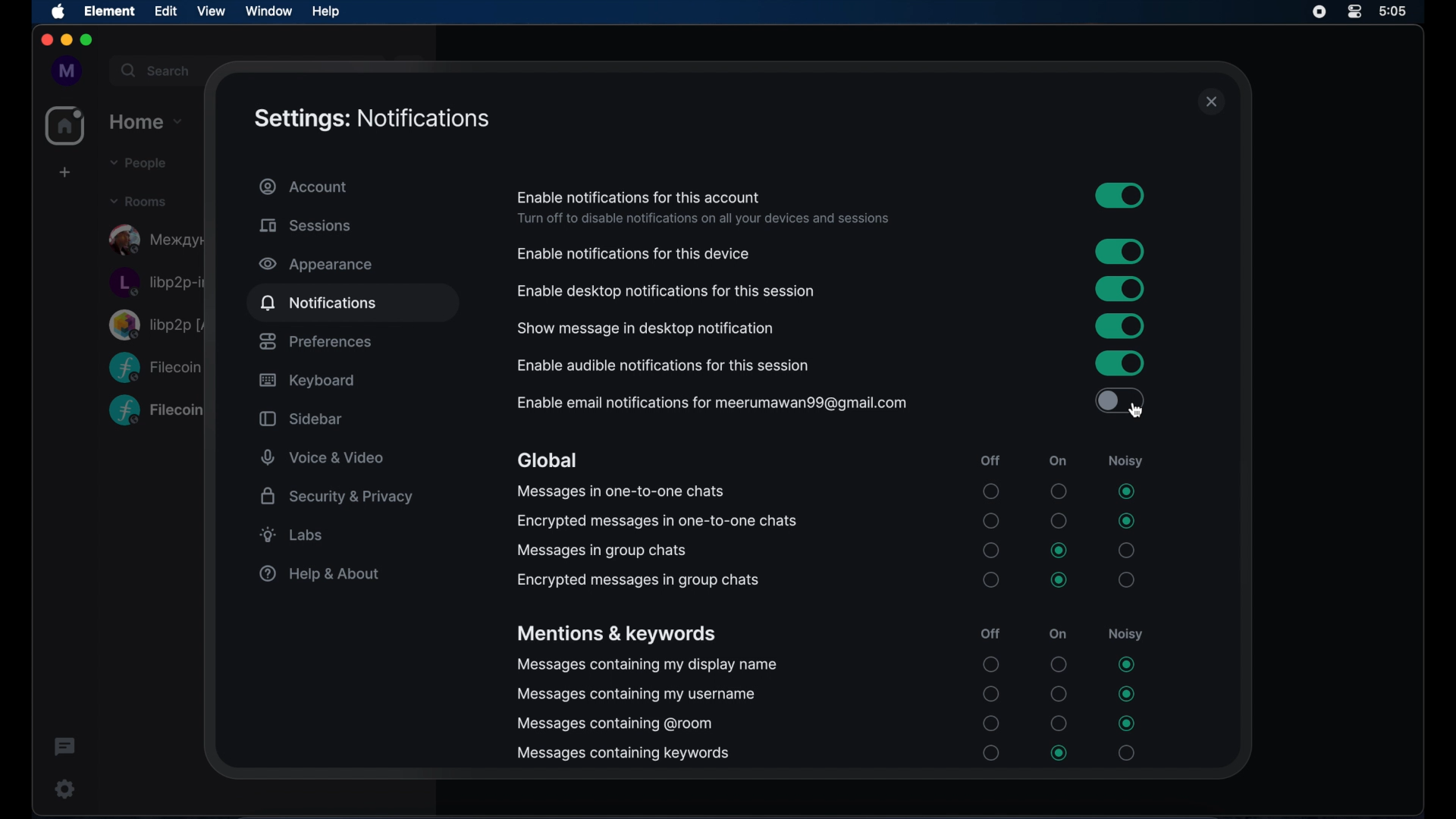 The image size is (1456, 819). Describe the element at coordinates (1119, 400) in the screenshot. I see `toggle button` at that location.